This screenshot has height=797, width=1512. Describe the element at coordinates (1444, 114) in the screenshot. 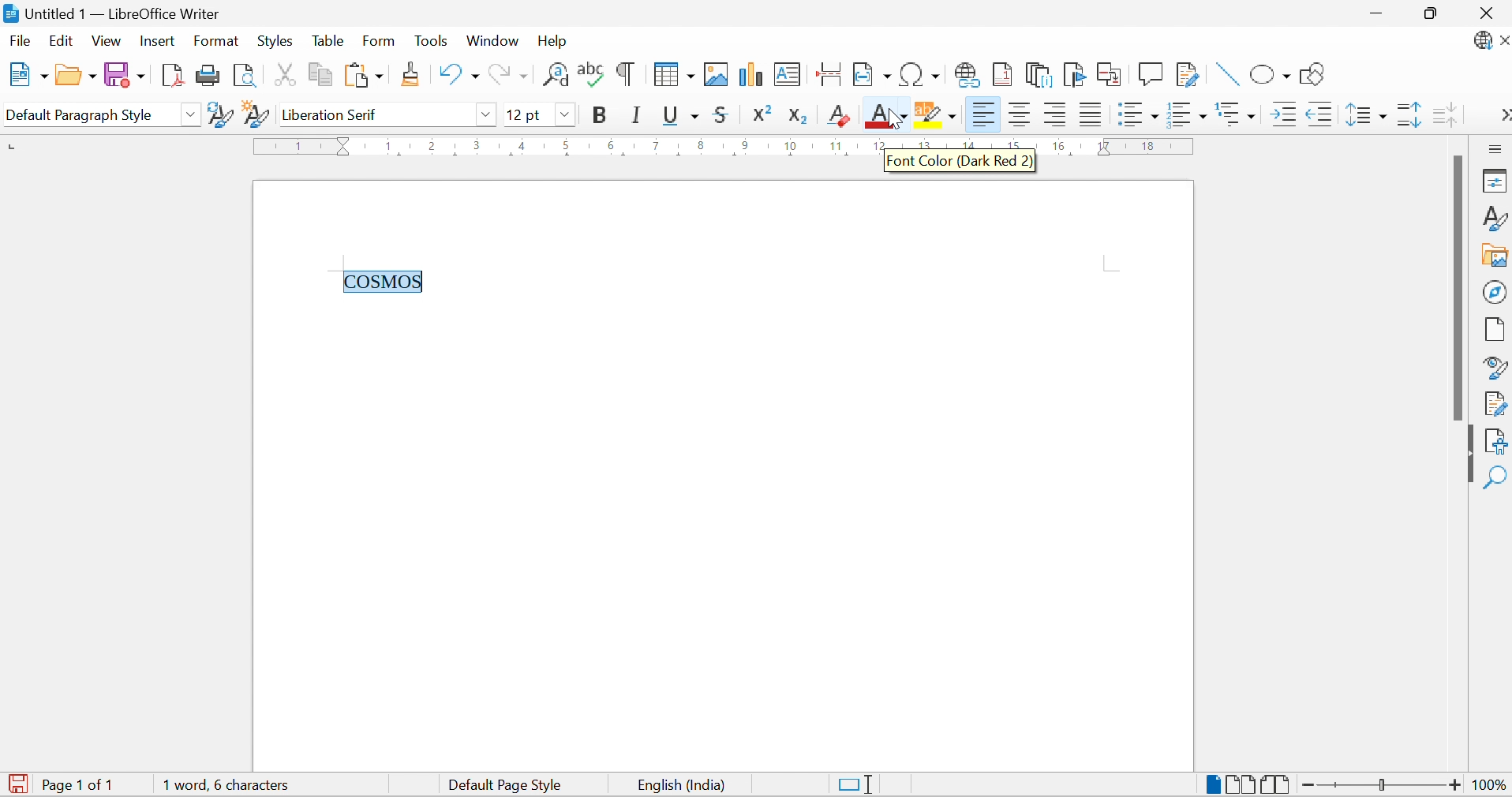

I see `Decrease Paragraph Spacing` at that location.